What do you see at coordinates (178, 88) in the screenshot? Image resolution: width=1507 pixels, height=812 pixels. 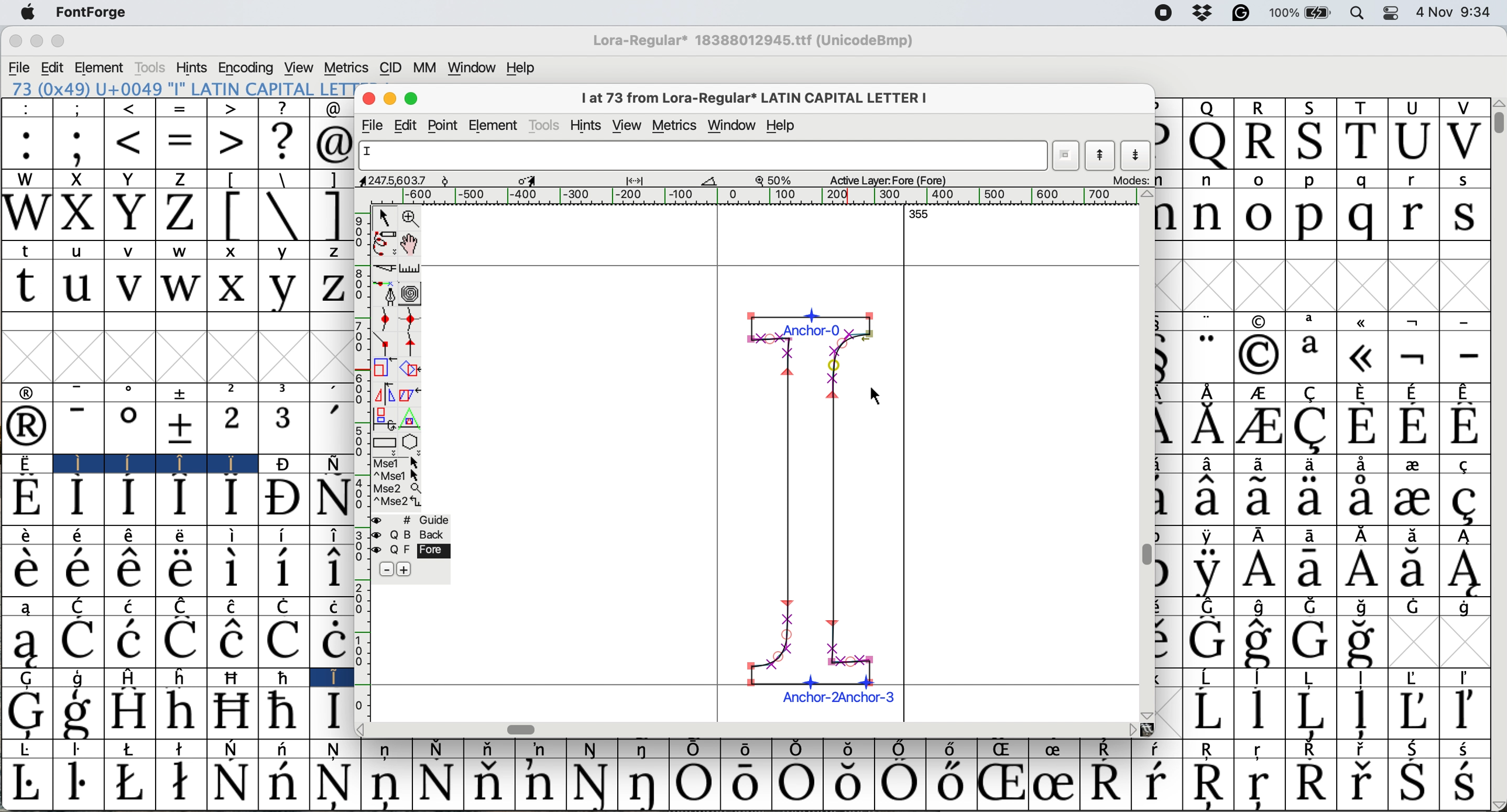 I see `73 (0x49) "I" LATIN CAPITAL LETTER` at bounding box center [178, 88].